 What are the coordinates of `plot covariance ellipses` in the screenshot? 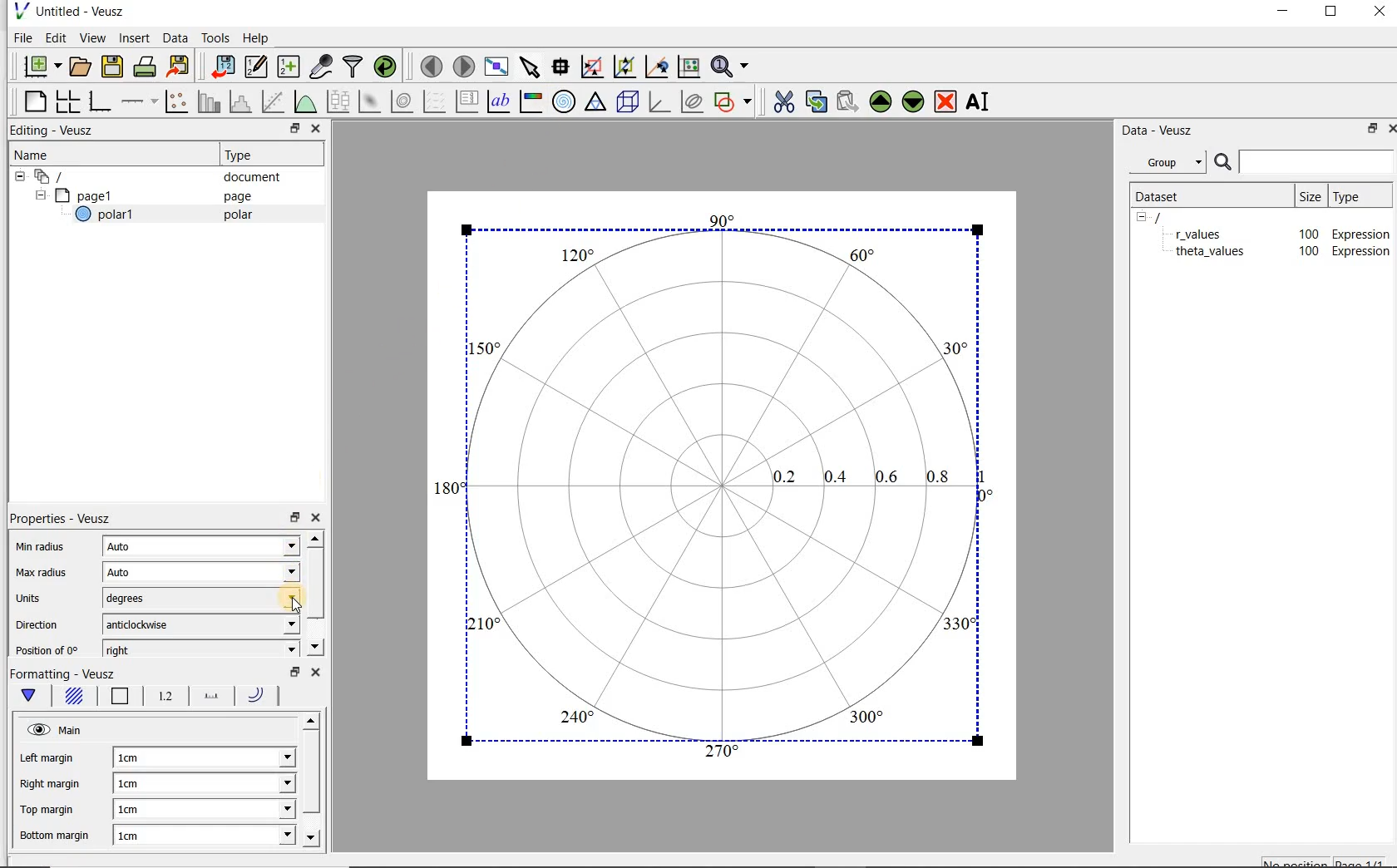 It's located at (693, 101).